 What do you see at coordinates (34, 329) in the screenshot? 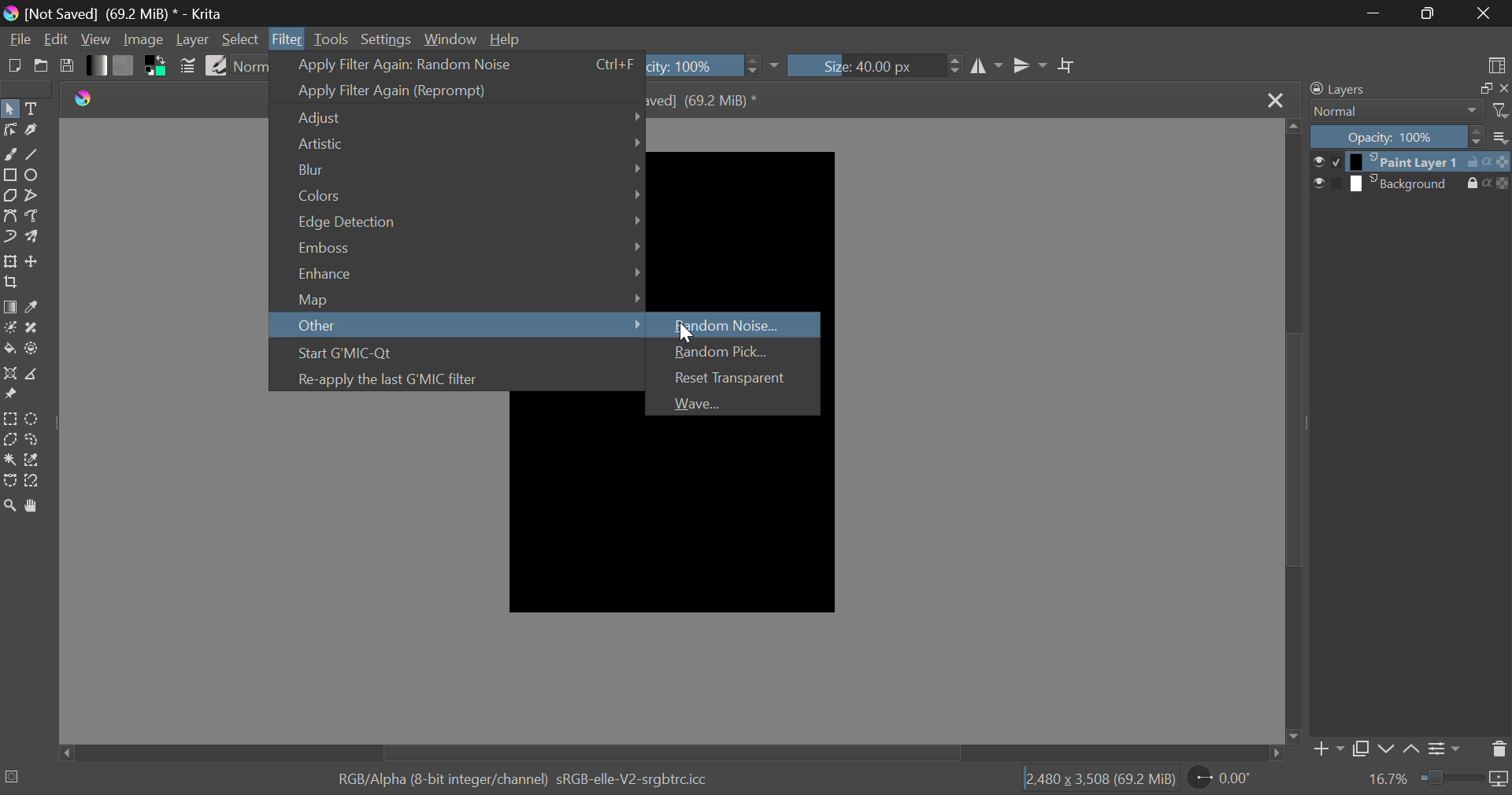
I see `Smart Patch Tool` at bounding box center [34, 329].